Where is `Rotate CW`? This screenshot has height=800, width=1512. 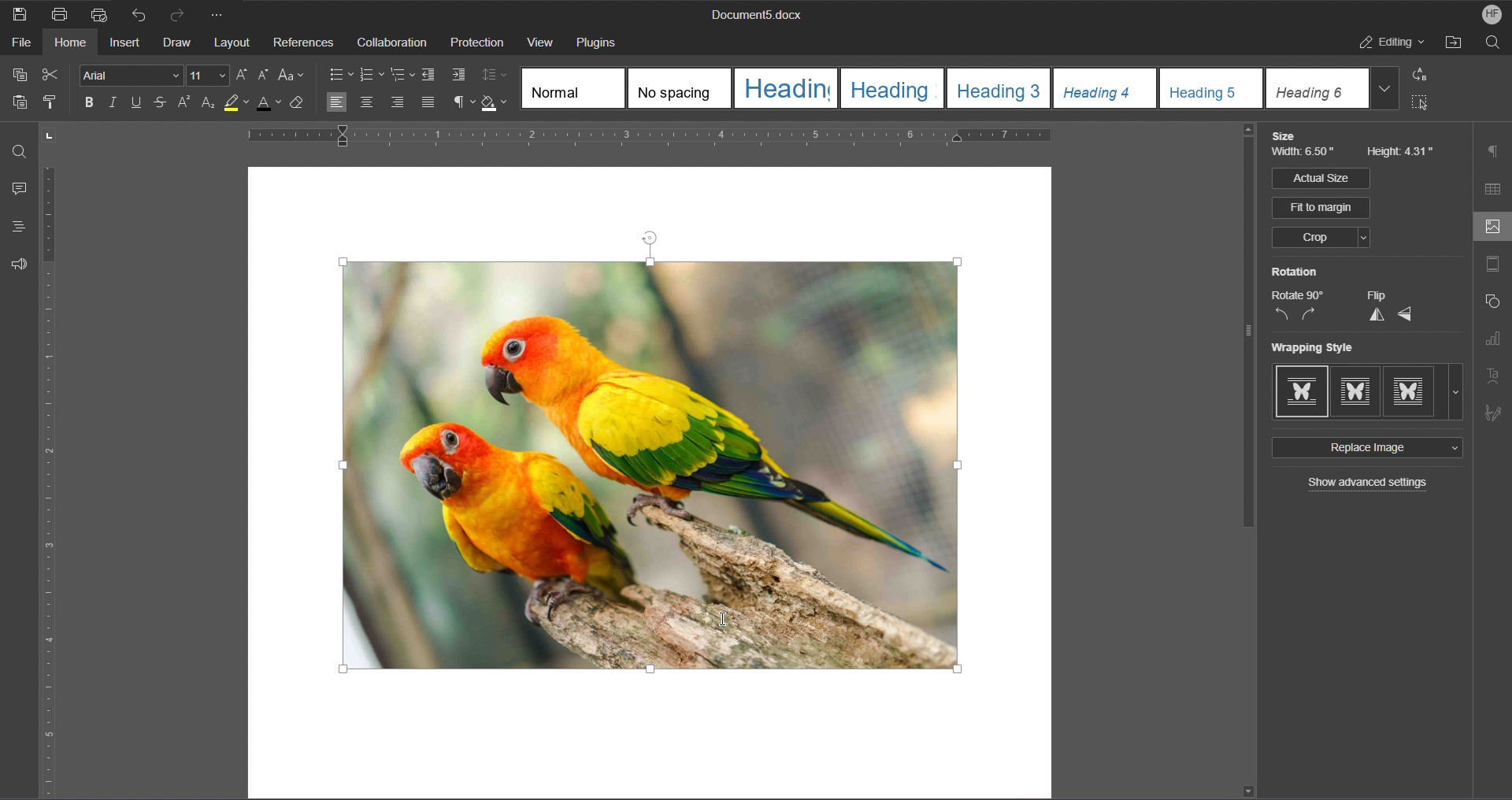 Rotate CW is located at coordinates (1310, 315).